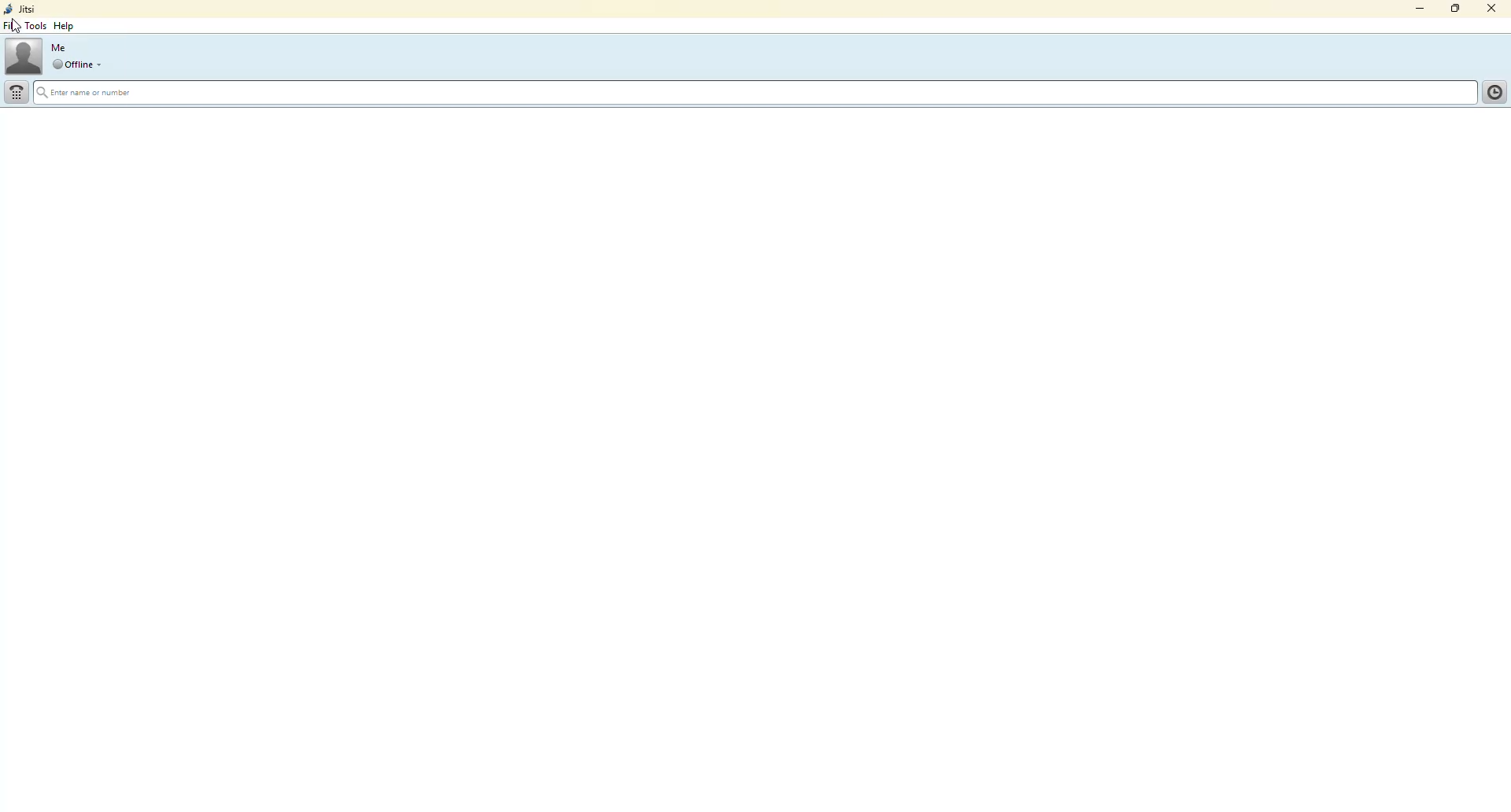  I want to click on contact list, so click(1491, 92).